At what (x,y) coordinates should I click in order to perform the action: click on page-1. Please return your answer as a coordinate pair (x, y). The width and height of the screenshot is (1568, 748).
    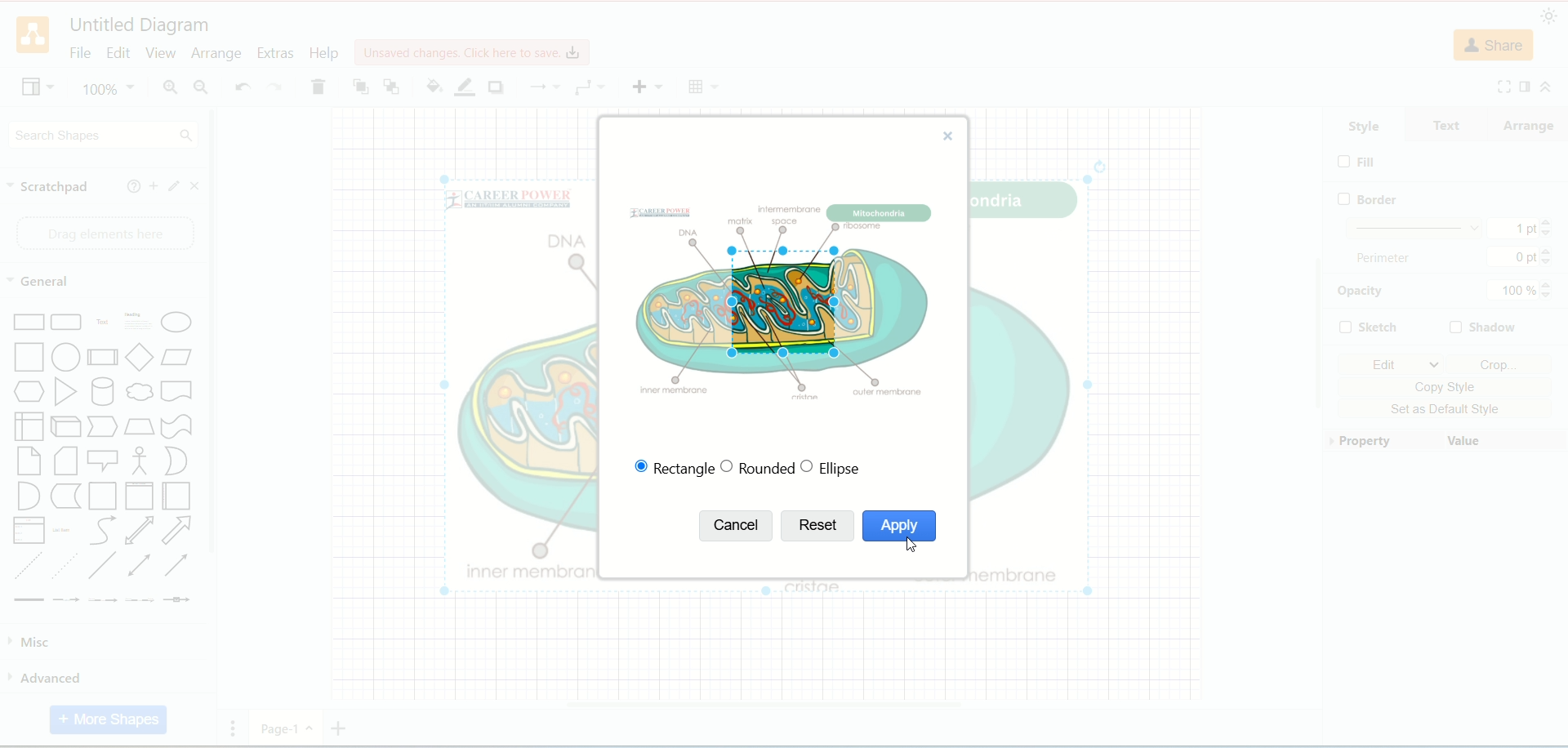
    Looking at the image, I should click on (287, 728).